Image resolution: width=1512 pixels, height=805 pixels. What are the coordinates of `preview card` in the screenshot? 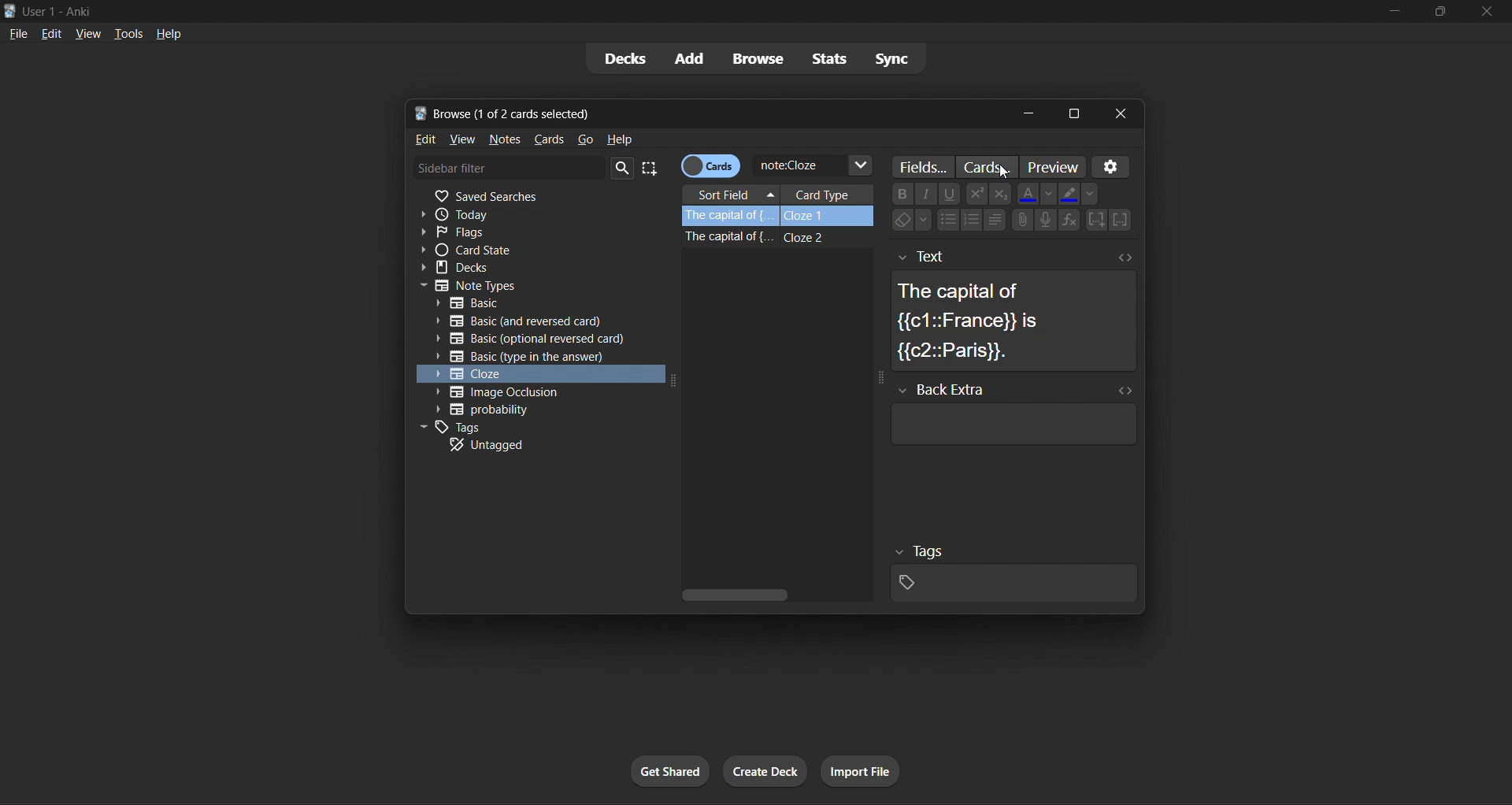 It's located at (1051, 165).